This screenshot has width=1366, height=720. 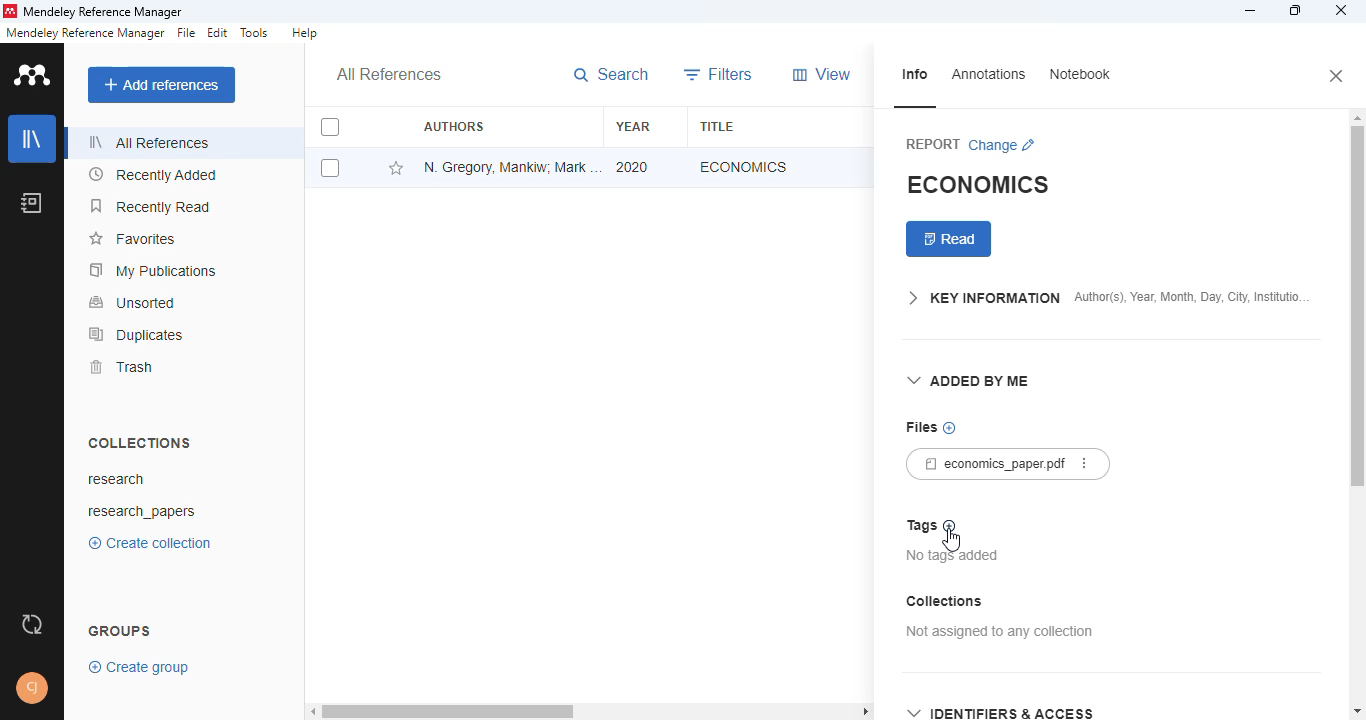 I want to click on year, so click(x=633, y=126).